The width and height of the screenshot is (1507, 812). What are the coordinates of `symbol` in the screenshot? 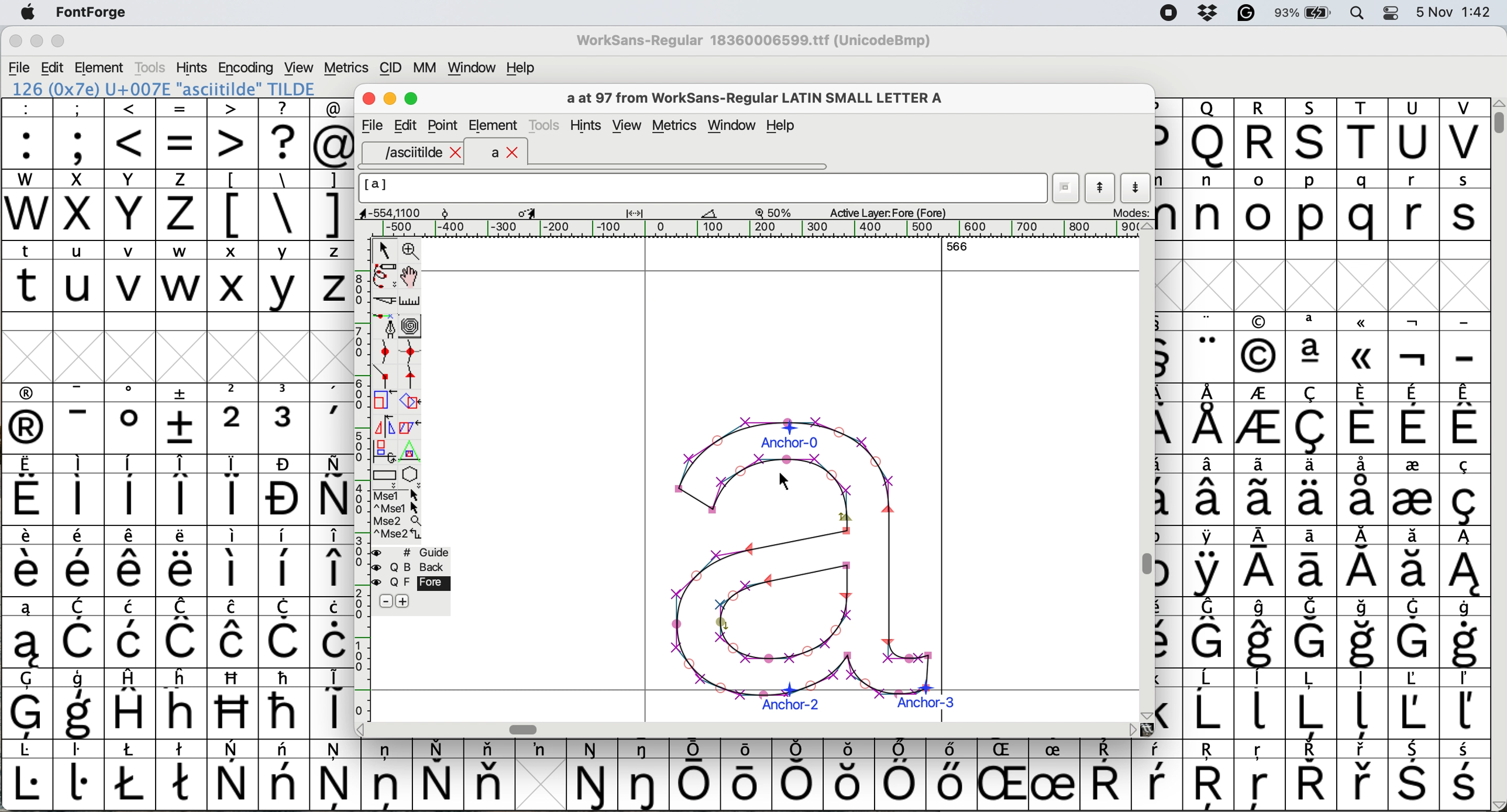 It's located at (1313, 419).